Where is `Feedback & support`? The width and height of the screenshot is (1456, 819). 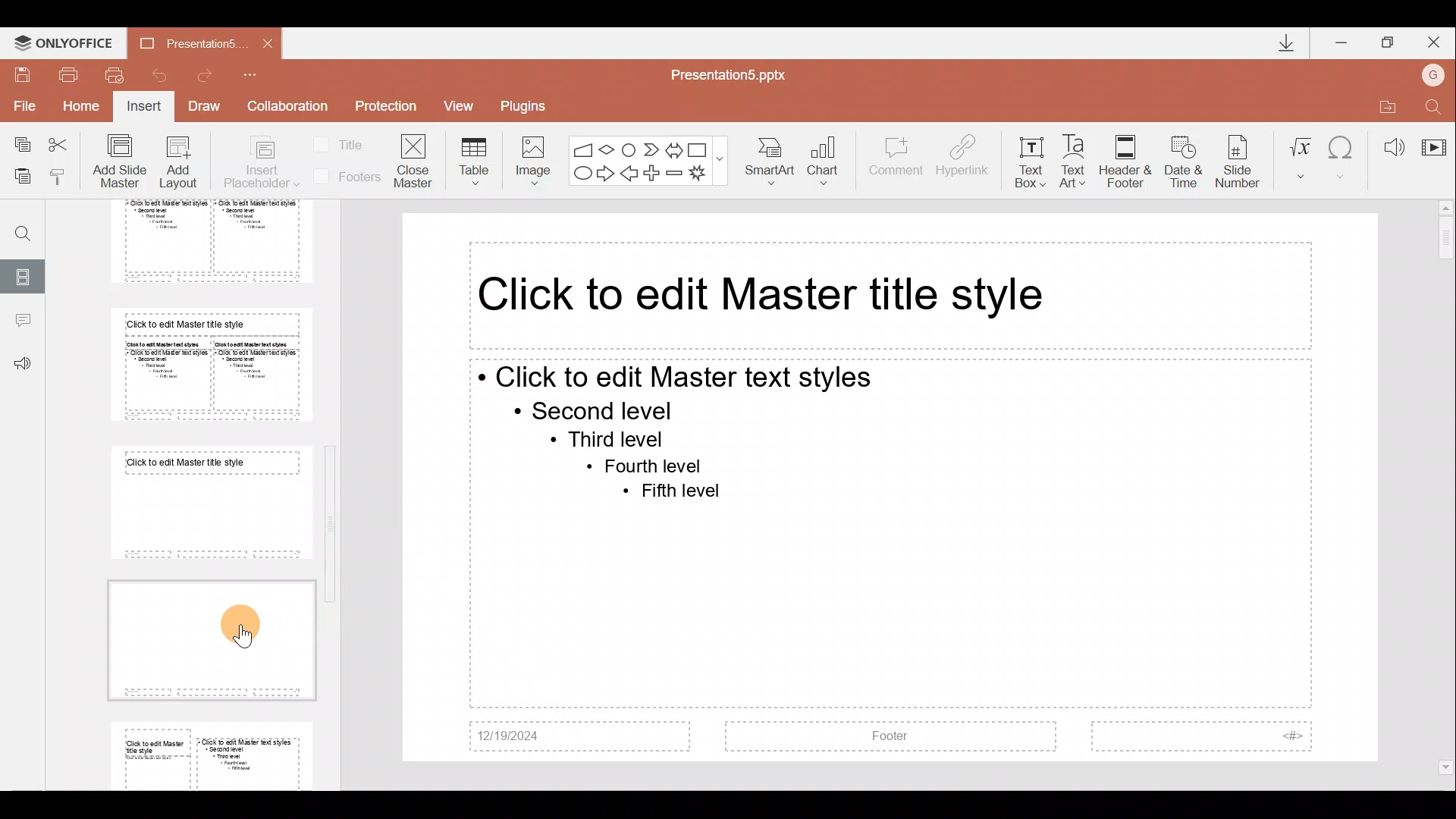
Feedback & support is located at coordinates (23, 365).